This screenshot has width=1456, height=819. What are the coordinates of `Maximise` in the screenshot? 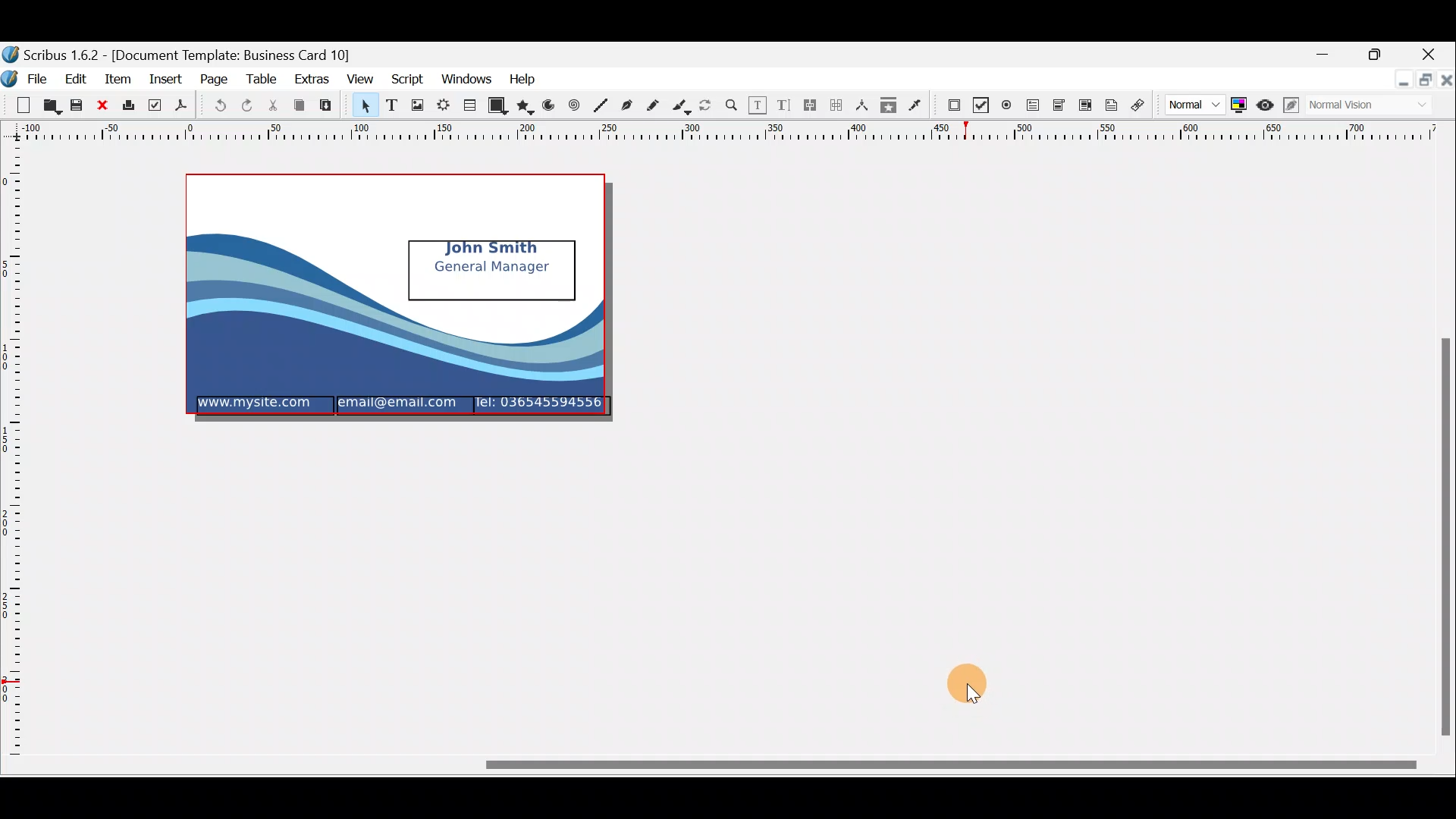 It's located at (1426, 81).